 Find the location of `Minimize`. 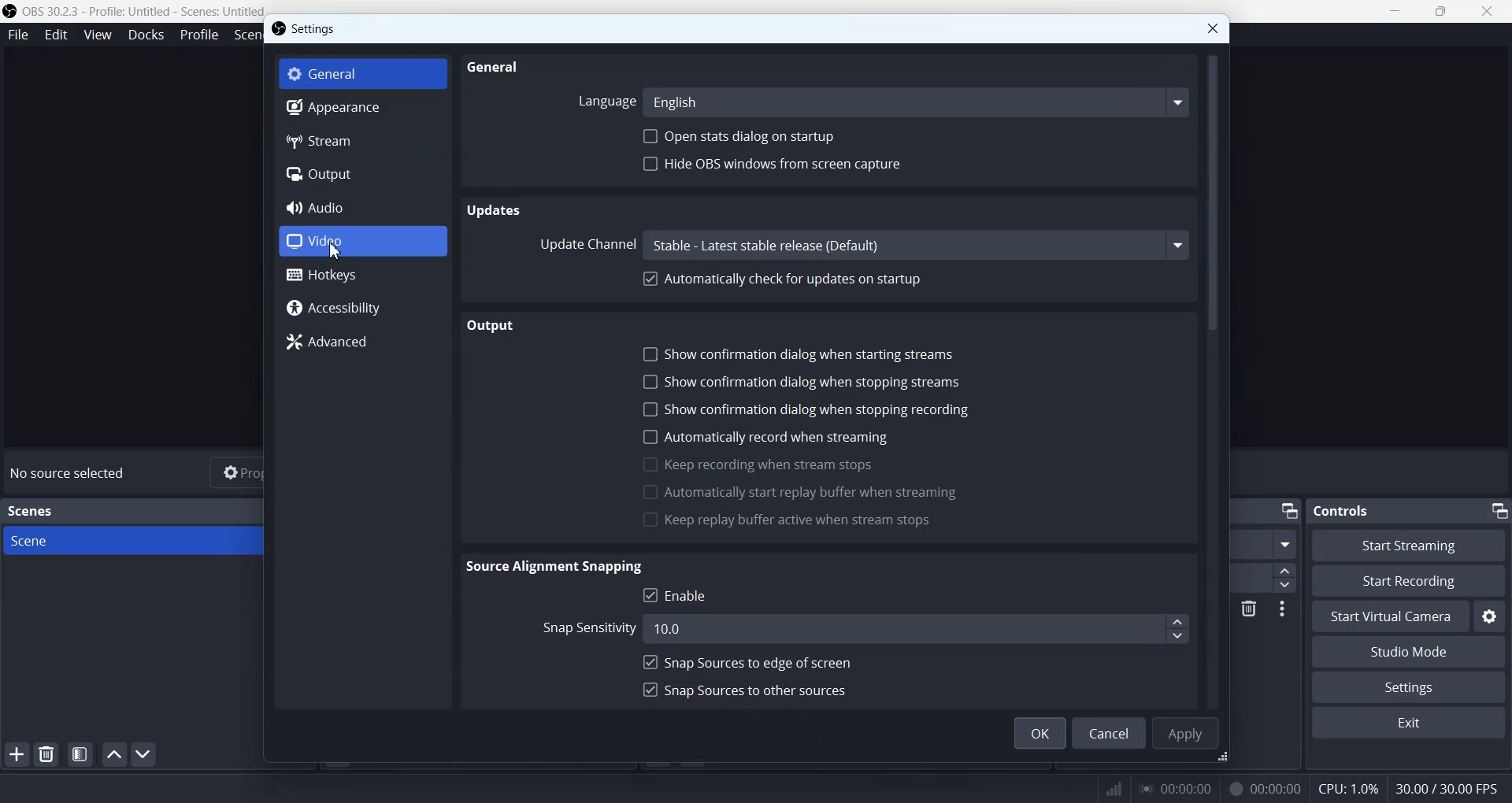

Minimize is located at coordinates (1498, 509).